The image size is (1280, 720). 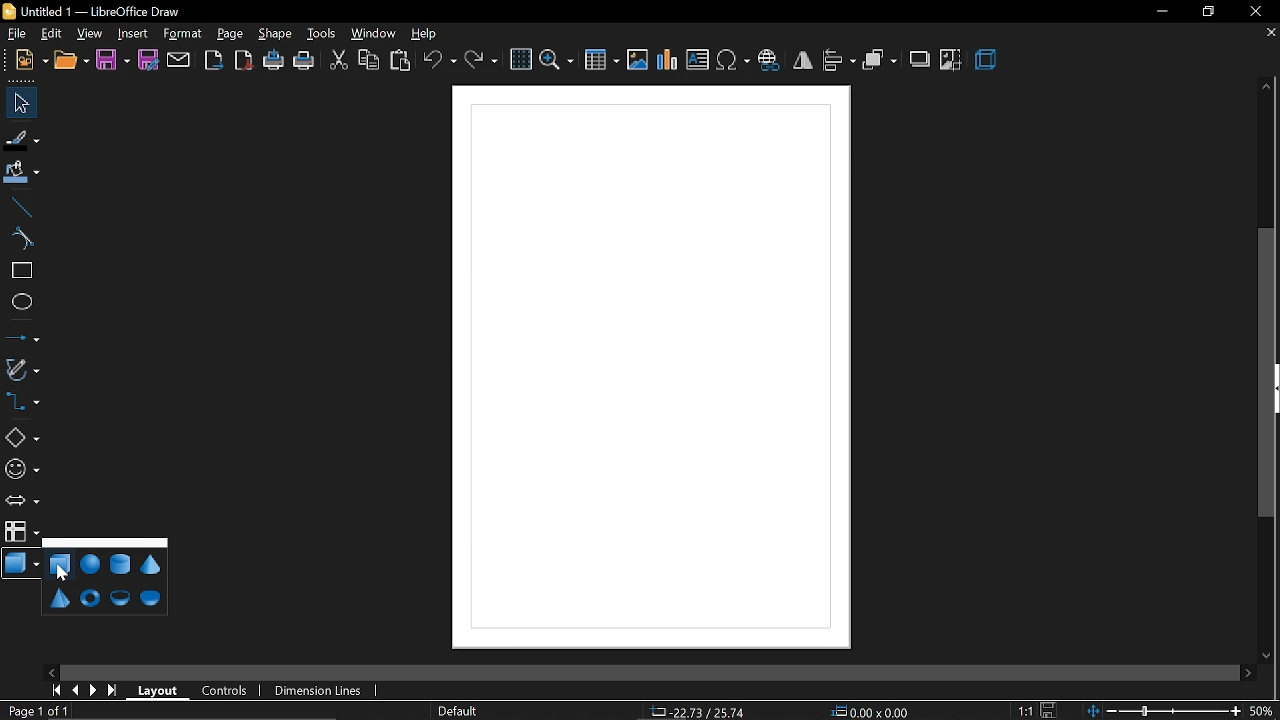 I want to click on format, so click(x=184, y=35).